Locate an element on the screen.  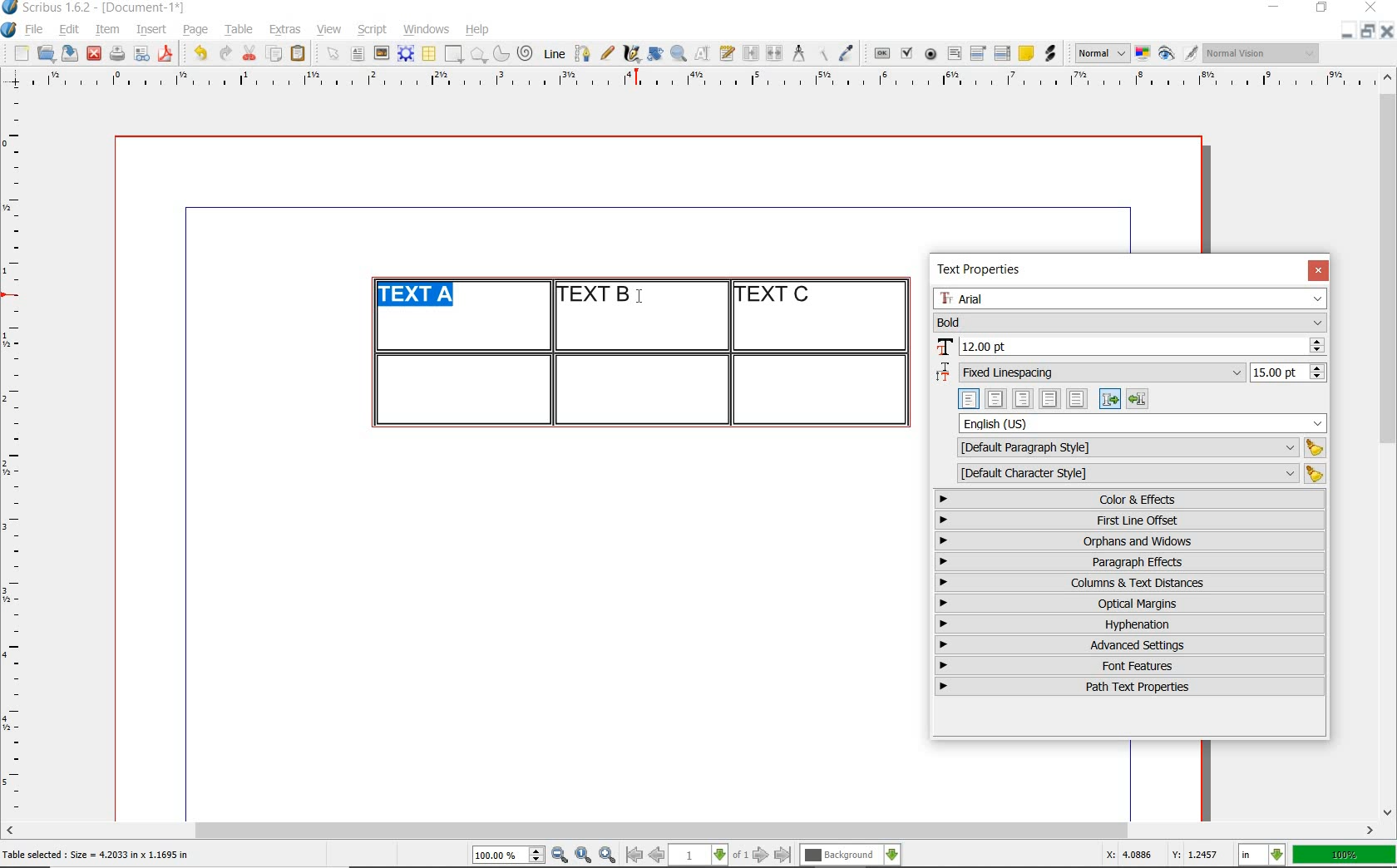
pdf list box is located at coordinates (1003, 53).